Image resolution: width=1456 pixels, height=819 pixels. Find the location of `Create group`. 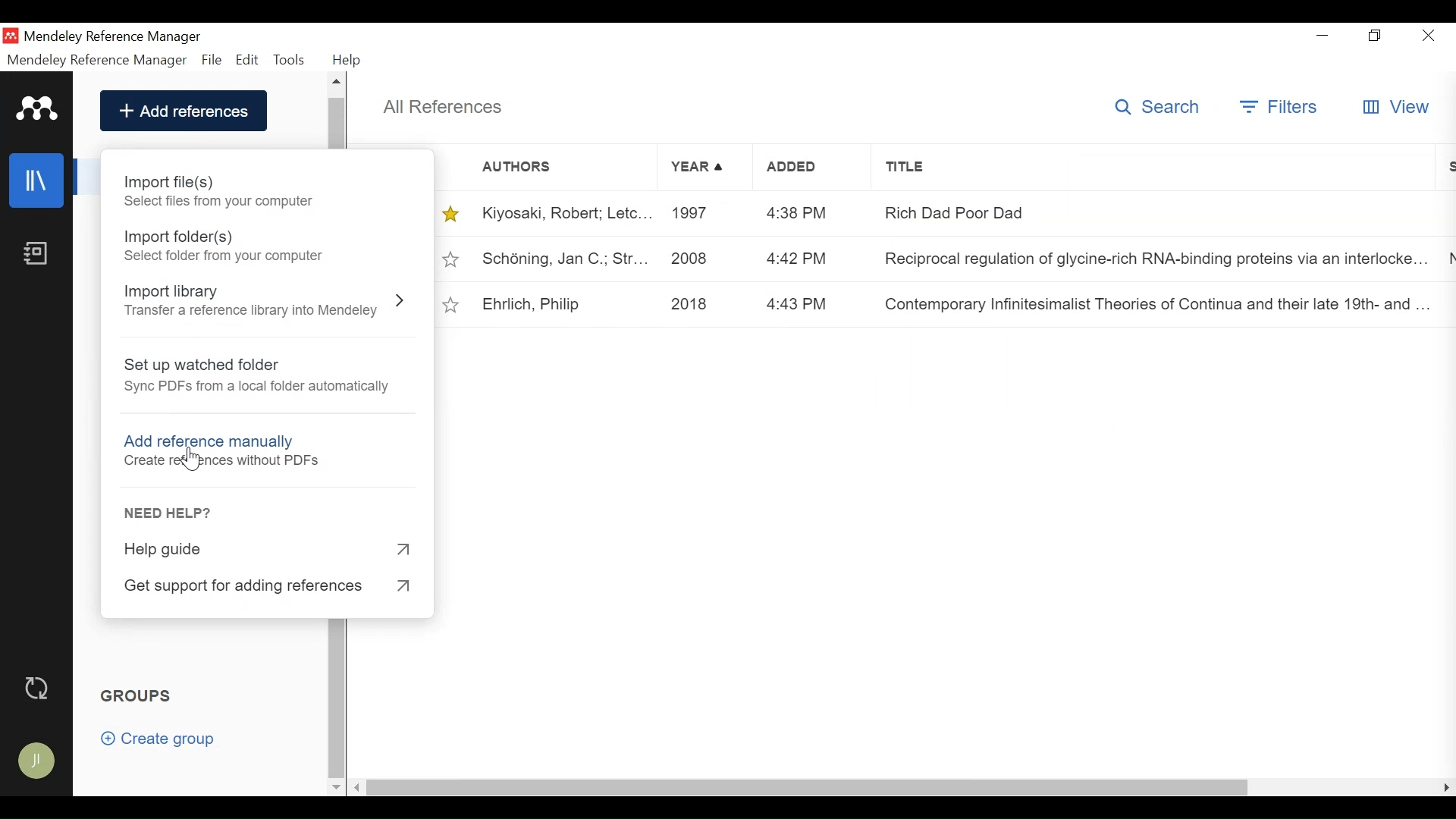

Create group is located at coordinates (161, 739).